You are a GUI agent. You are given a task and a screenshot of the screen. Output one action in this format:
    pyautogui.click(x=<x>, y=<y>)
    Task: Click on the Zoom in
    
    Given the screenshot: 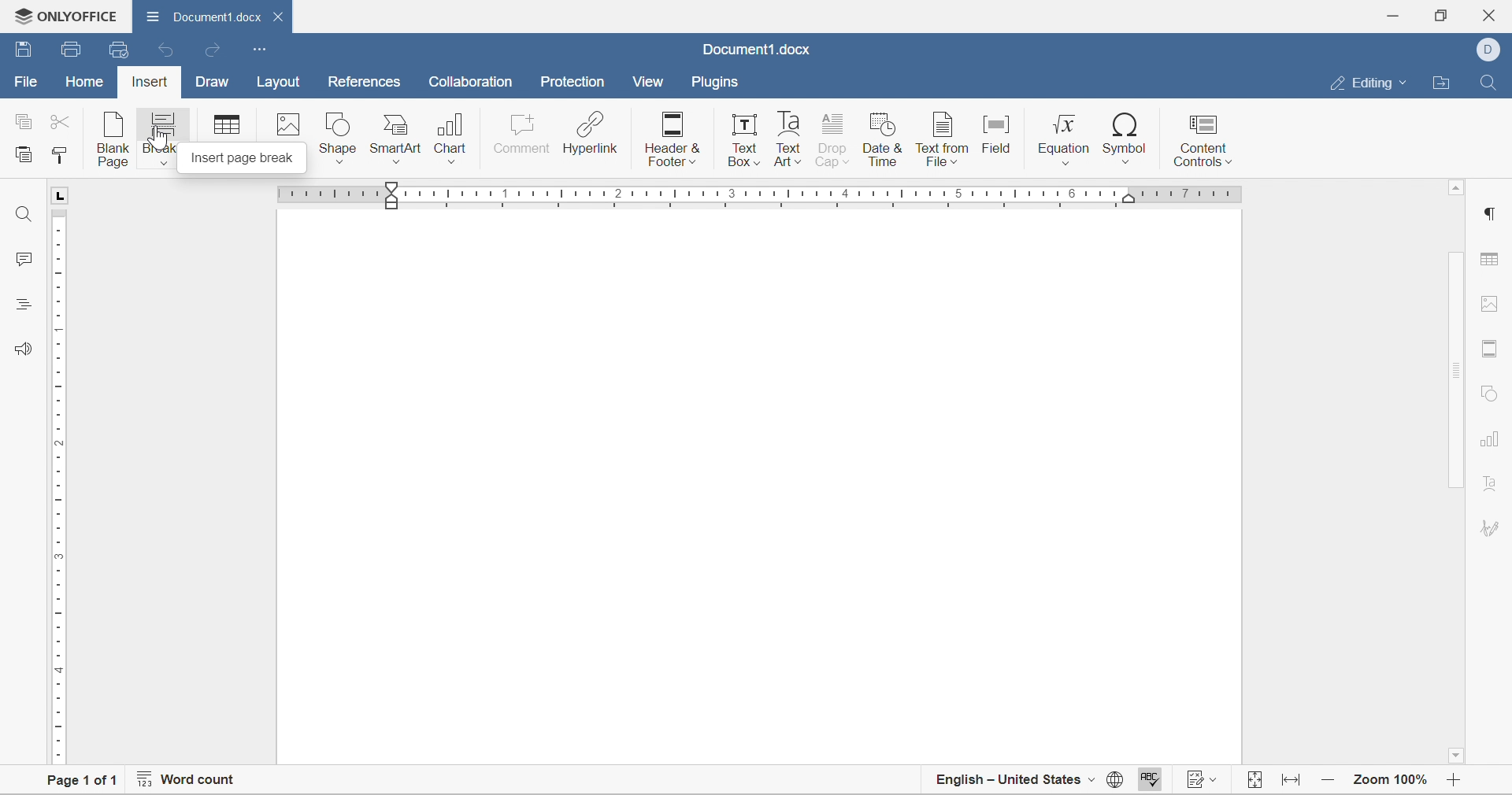 What is the action you would take?
    pyautogui.click(x=1458, y=784)
    